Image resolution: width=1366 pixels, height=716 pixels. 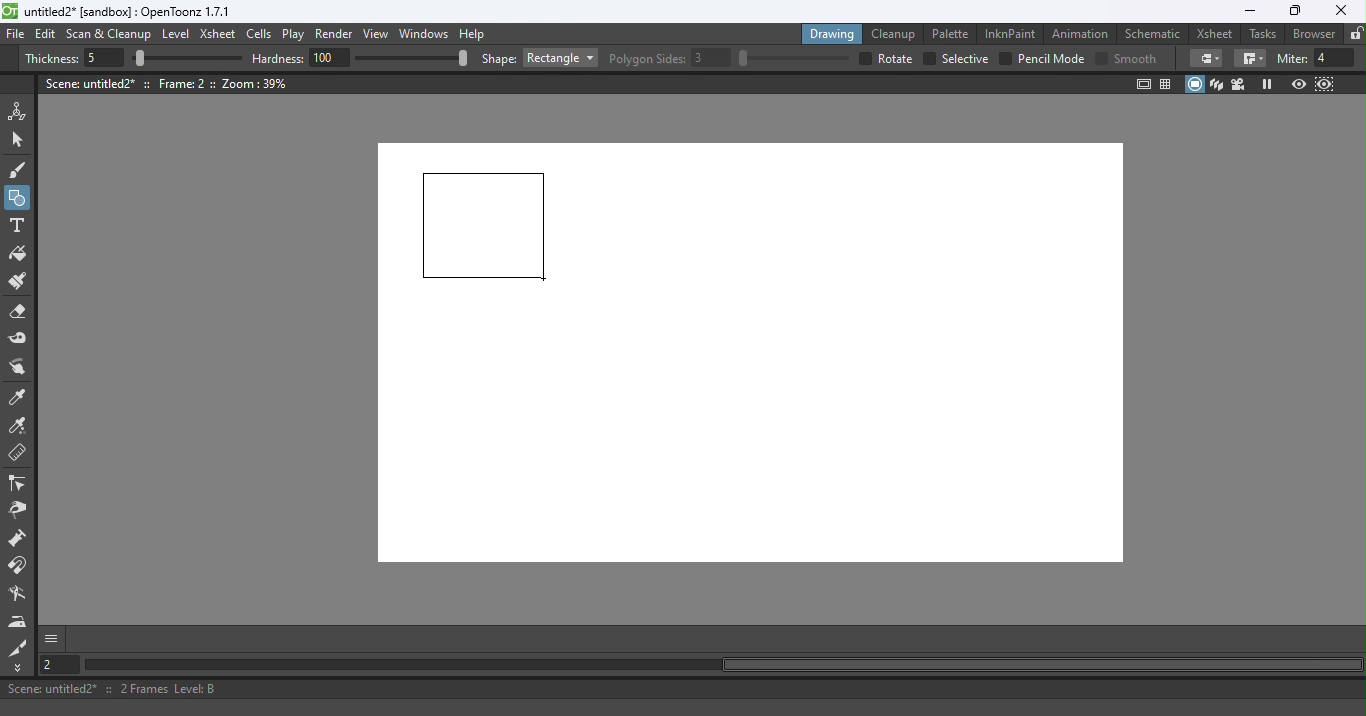 I want to click on slider, so click(x=793, y=58).